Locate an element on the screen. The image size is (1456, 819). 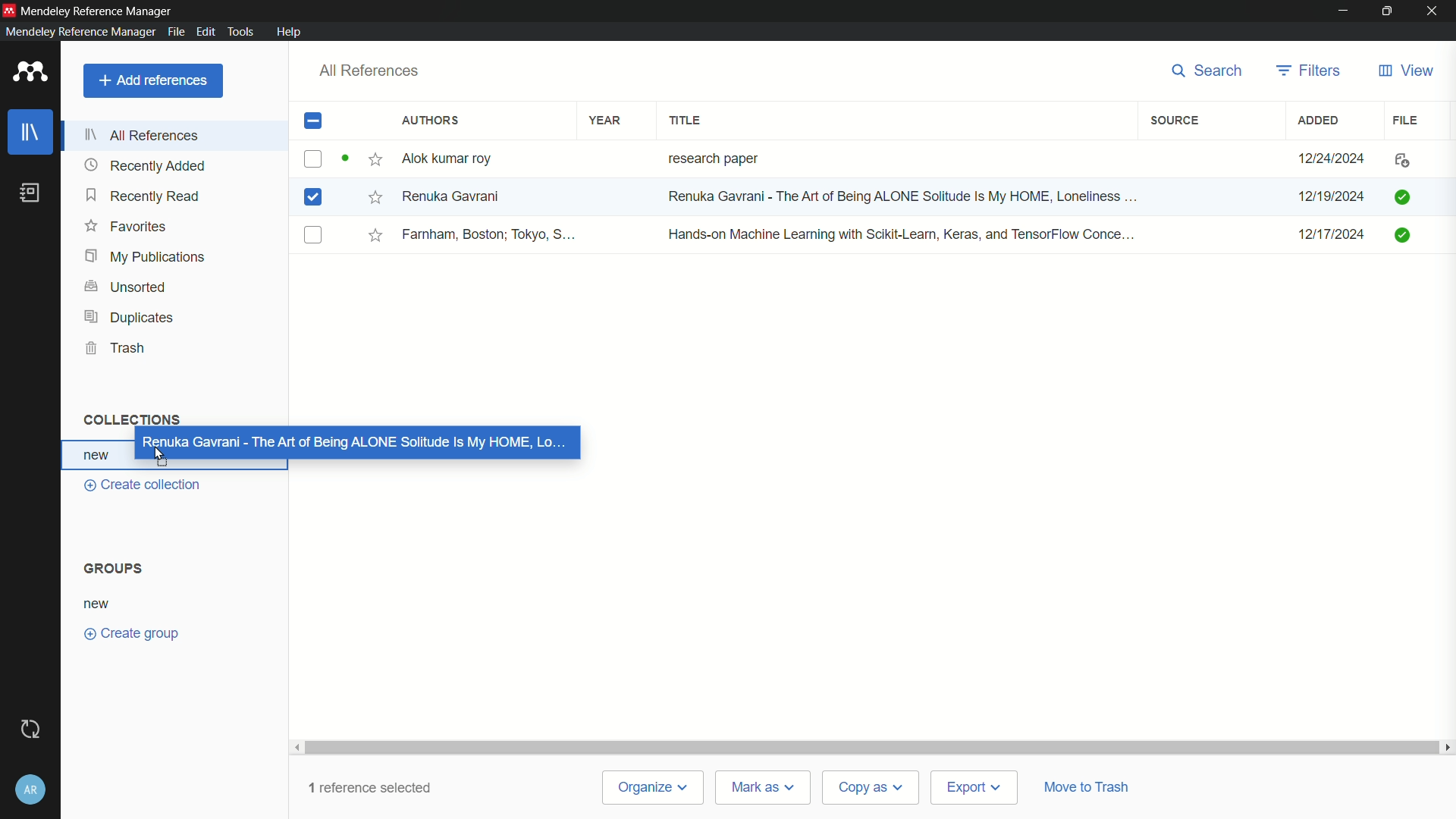
all references is located at coordinates (370, 71).